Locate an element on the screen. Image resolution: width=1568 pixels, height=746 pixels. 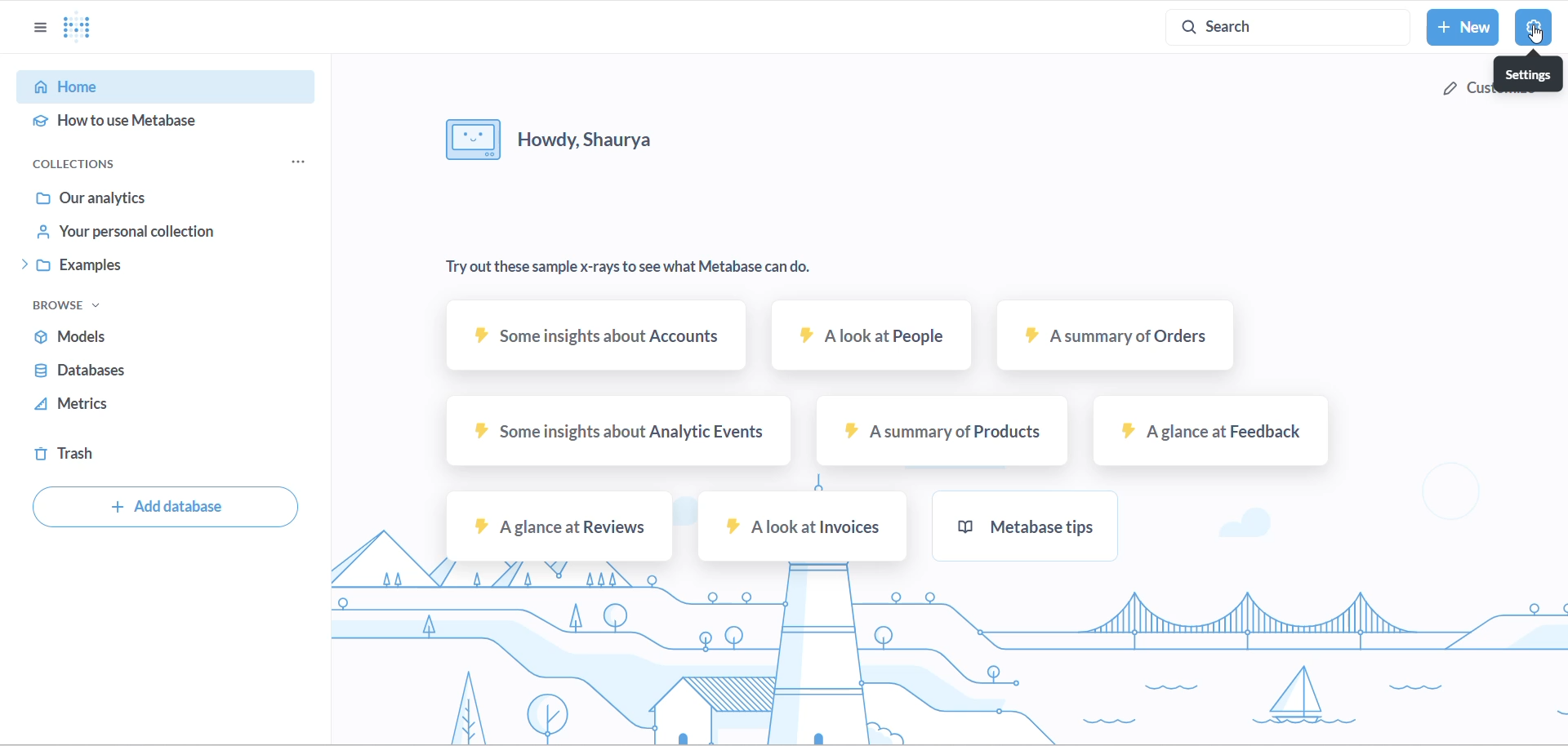
A glance at feedback sample is located at coordinates (1209, 432).